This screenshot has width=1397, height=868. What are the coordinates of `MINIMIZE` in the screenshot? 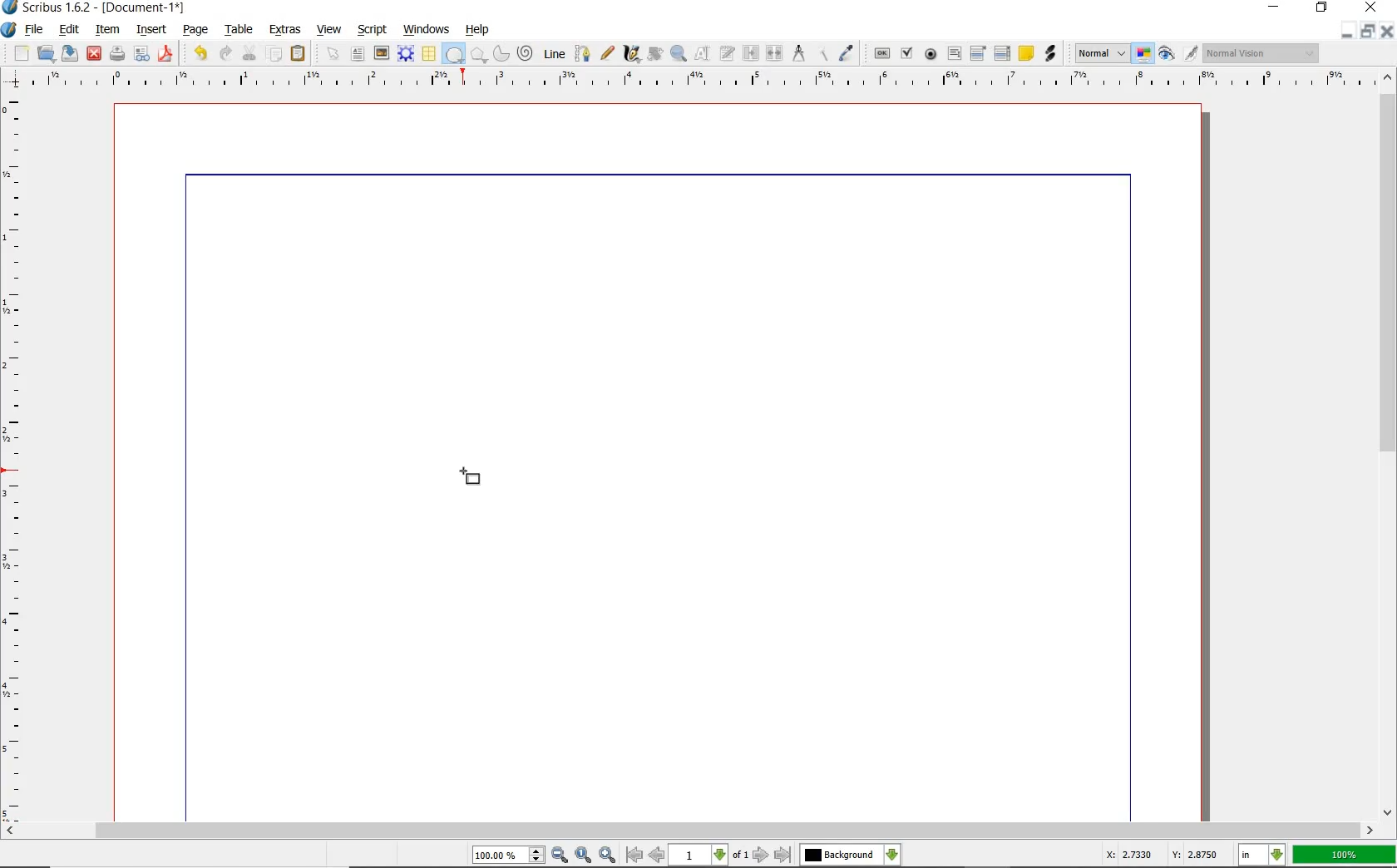 It's located at (1346, 32).